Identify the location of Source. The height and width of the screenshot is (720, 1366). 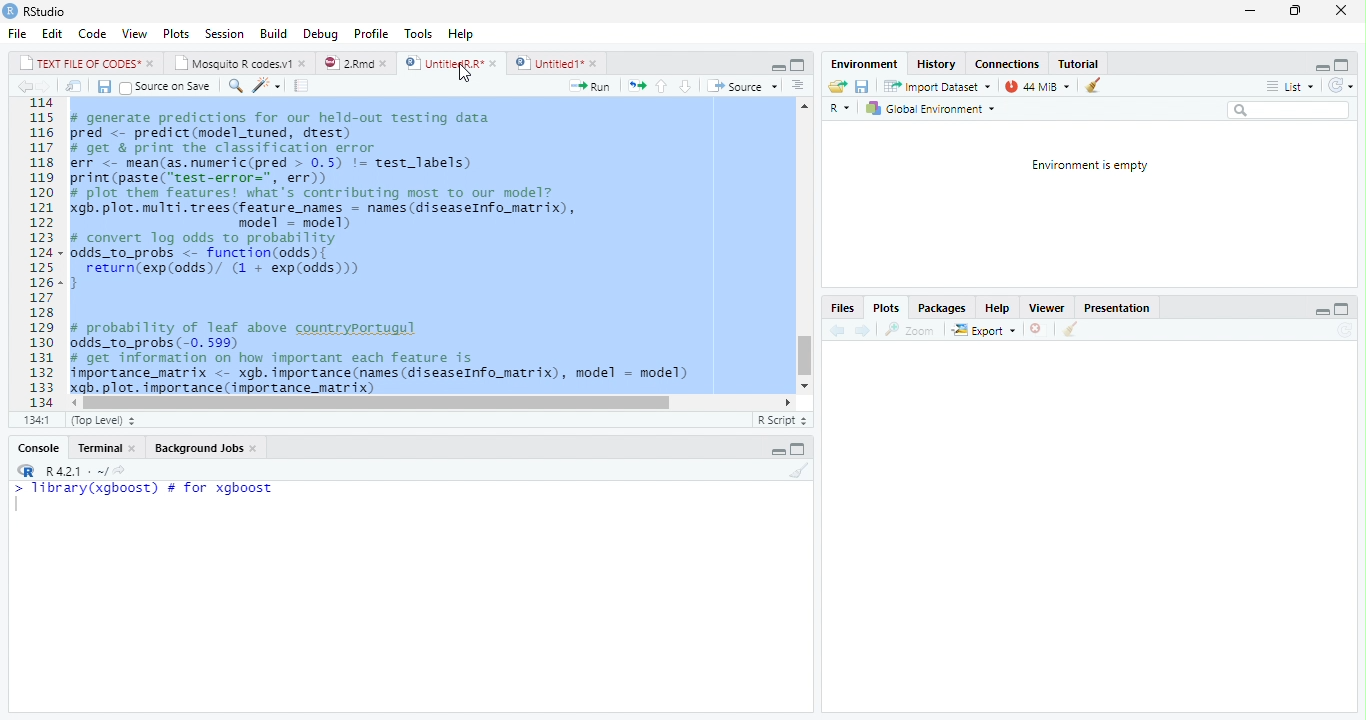
(741, 85).